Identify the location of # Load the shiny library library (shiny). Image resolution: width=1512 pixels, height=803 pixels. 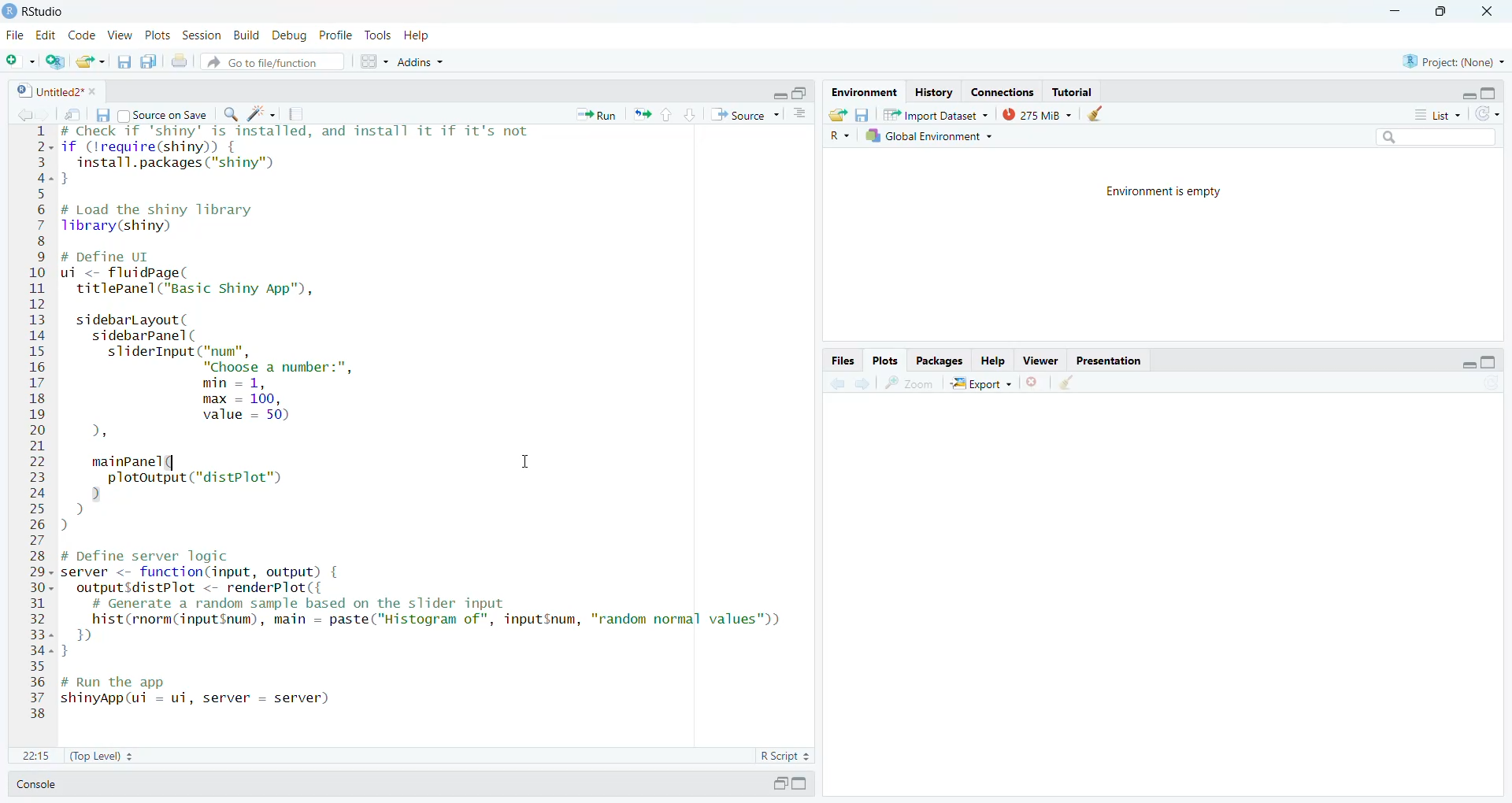
(170, 218).